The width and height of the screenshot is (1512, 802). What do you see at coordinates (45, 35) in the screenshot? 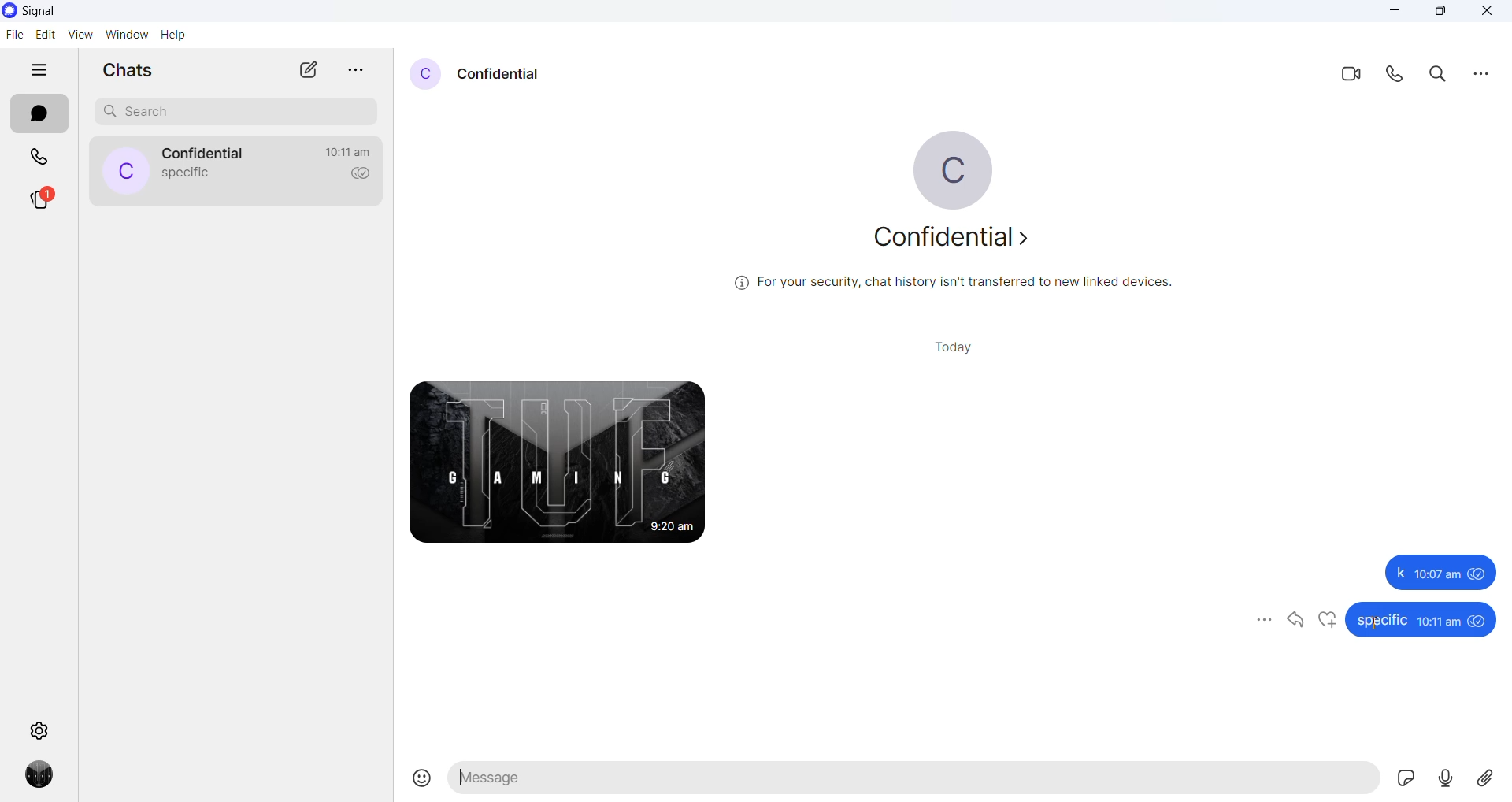
I see `edit` at bounding box center [45, 35].